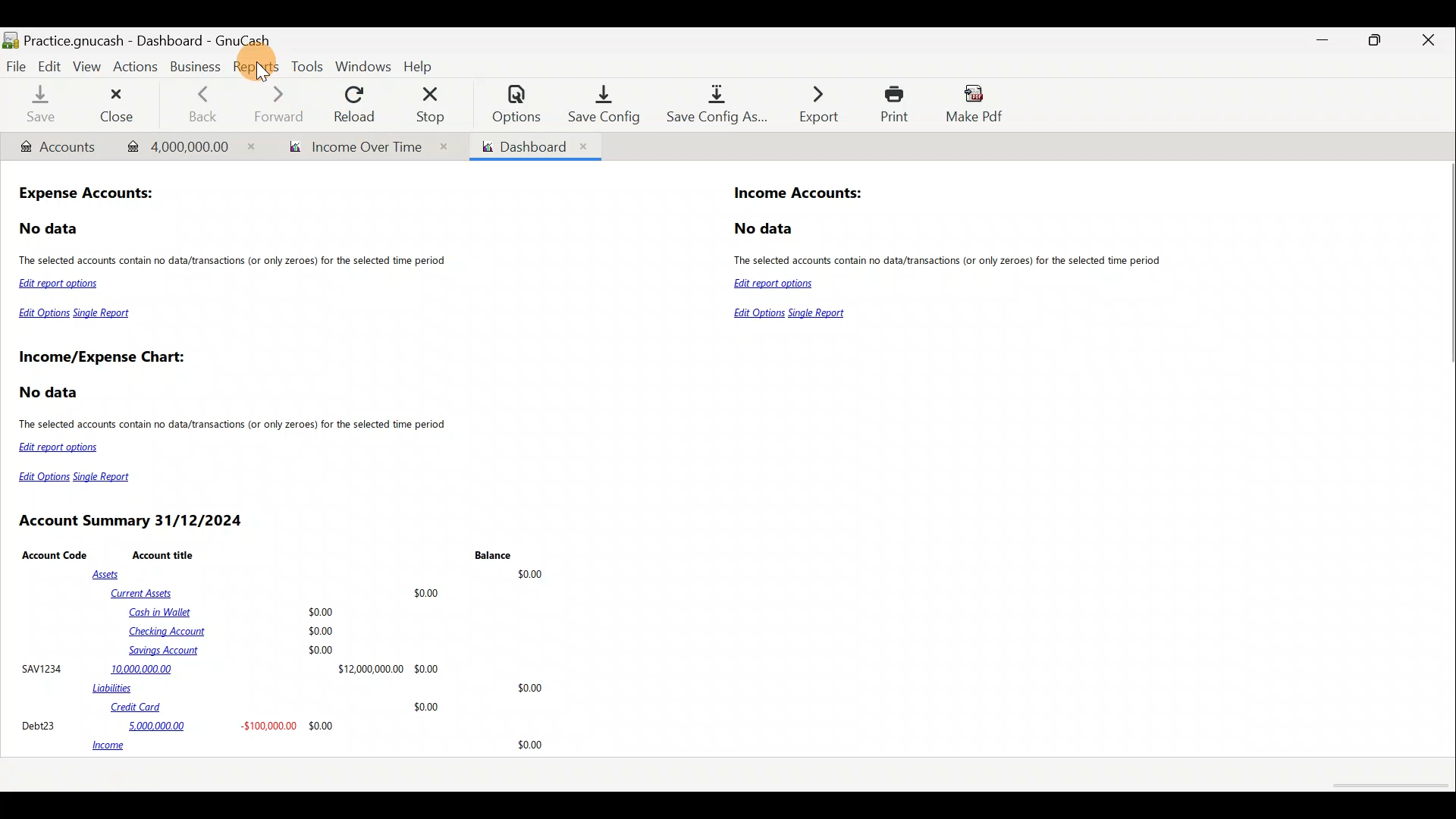 Image resolution: width=1456 pixels, height=819 pixels. Describe the element at coordinates (62, 285) in the screenshot. I see `Edit report options` at that location.